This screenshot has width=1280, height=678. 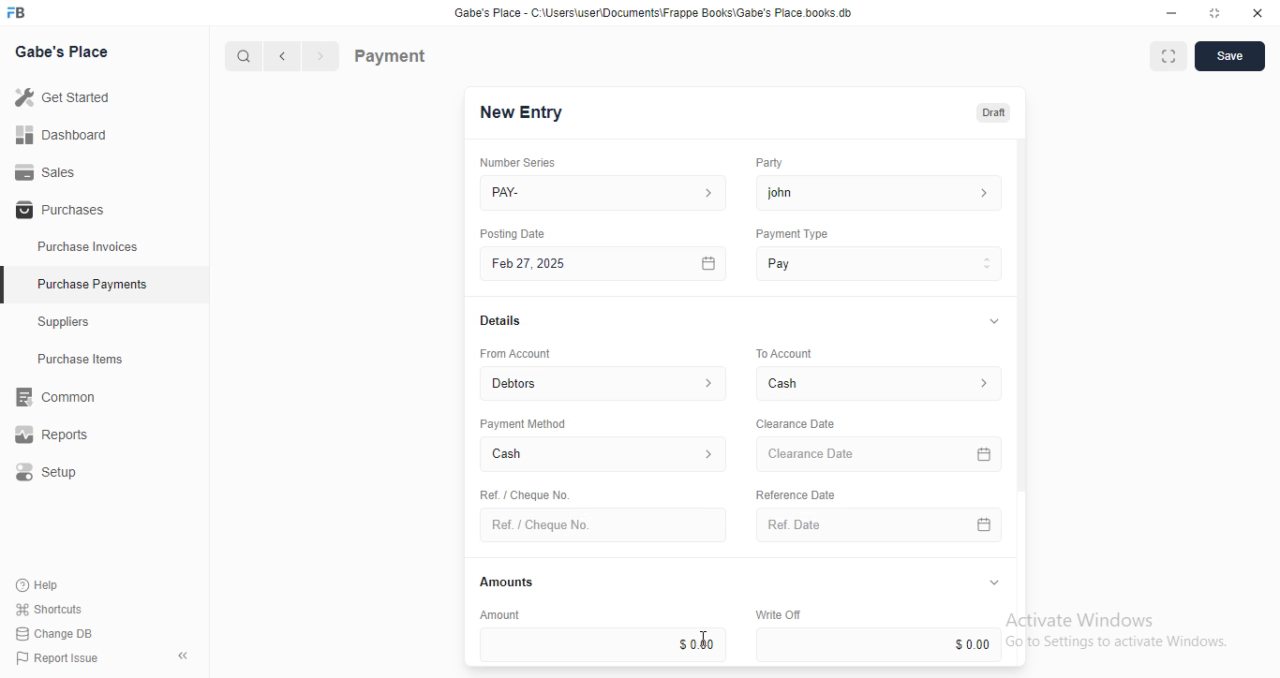 What do you see at coordinates (790, 234) in the screenshot?
I see `Payment Type` at bounding box center [790, 234].